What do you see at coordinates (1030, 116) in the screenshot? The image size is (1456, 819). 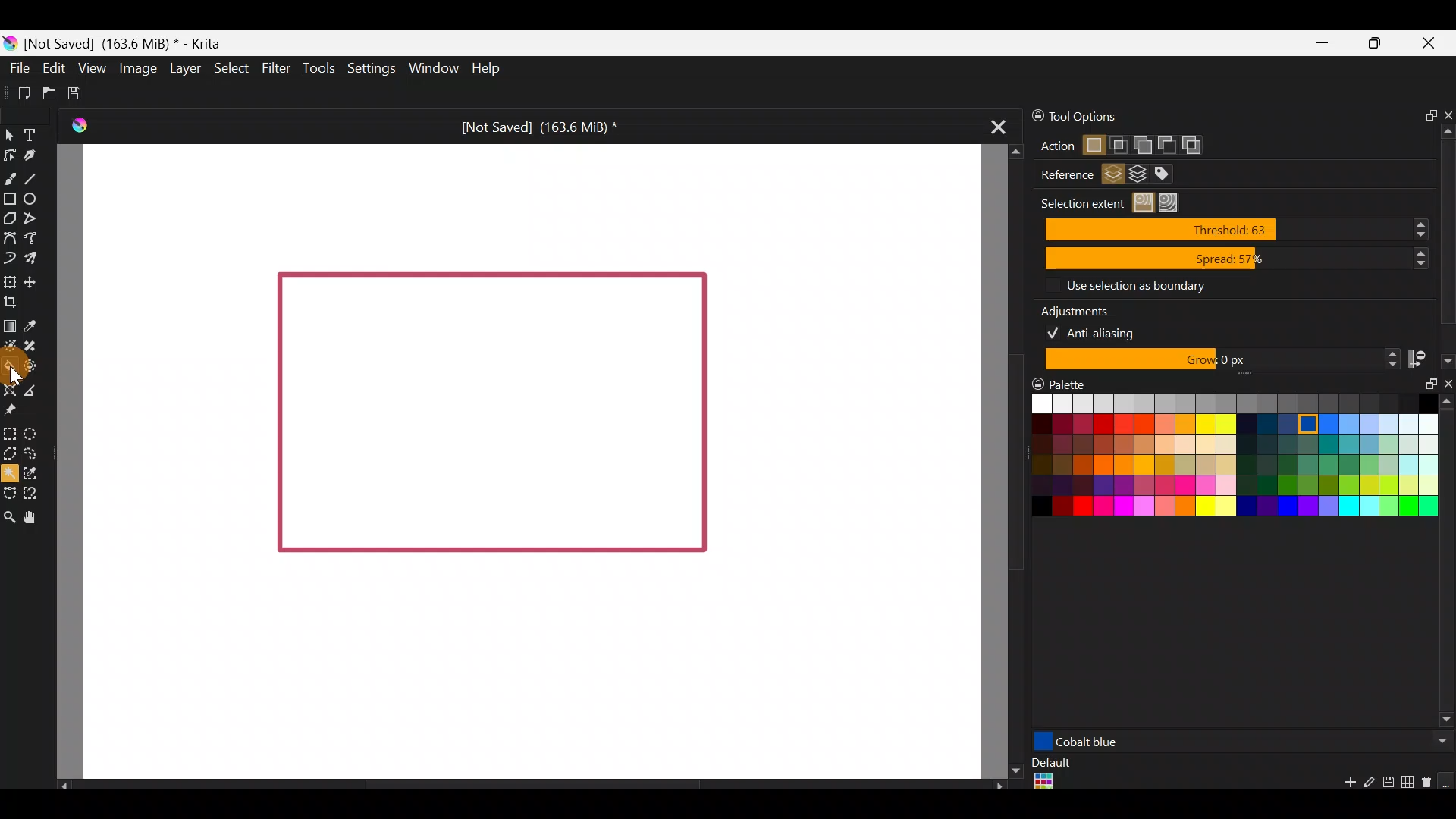 I see `Lock docker` at bounding box center [1030, 116].